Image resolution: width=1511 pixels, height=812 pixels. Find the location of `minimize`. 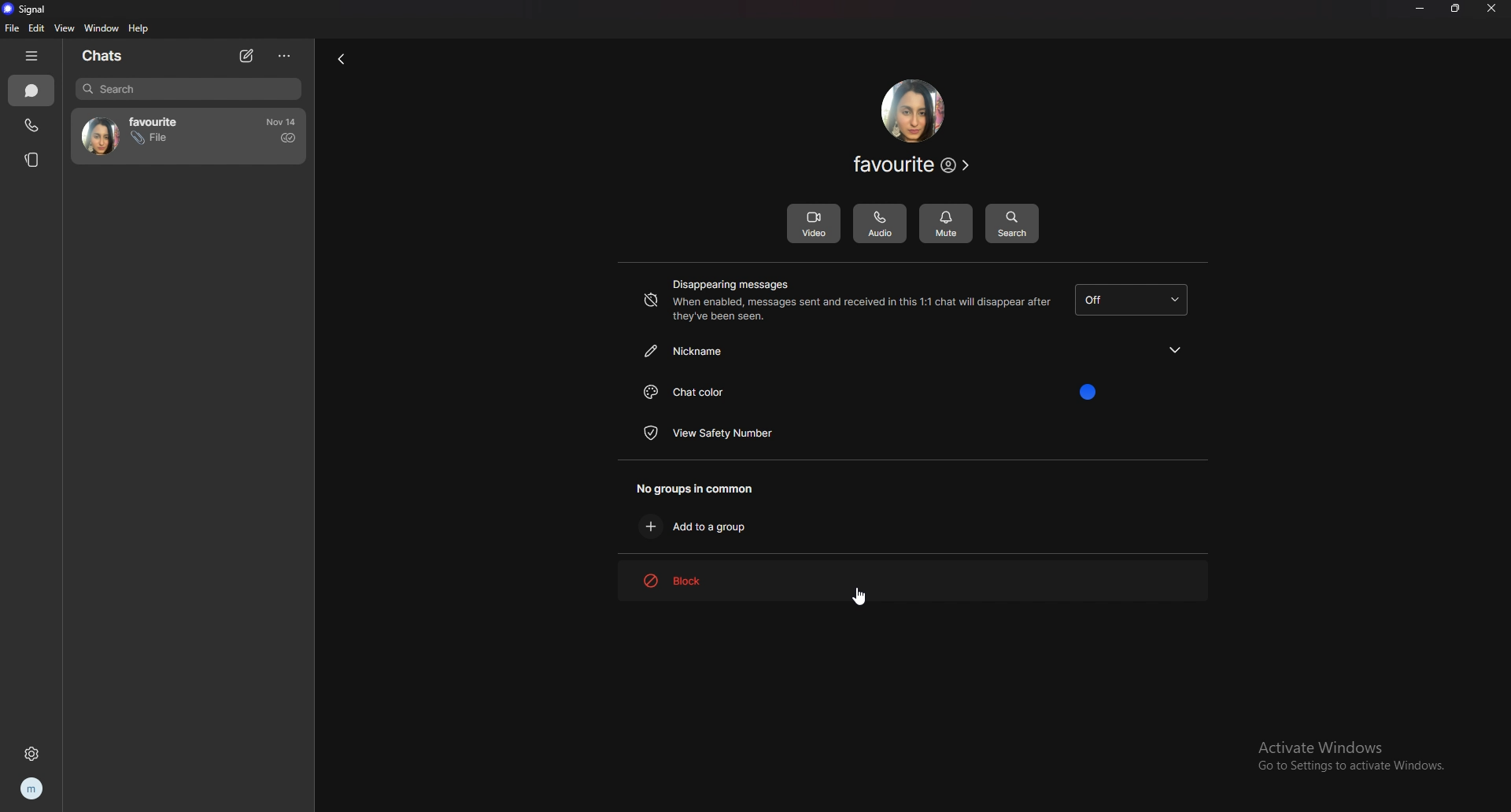

minimize is located at coordinates (1419, 9).